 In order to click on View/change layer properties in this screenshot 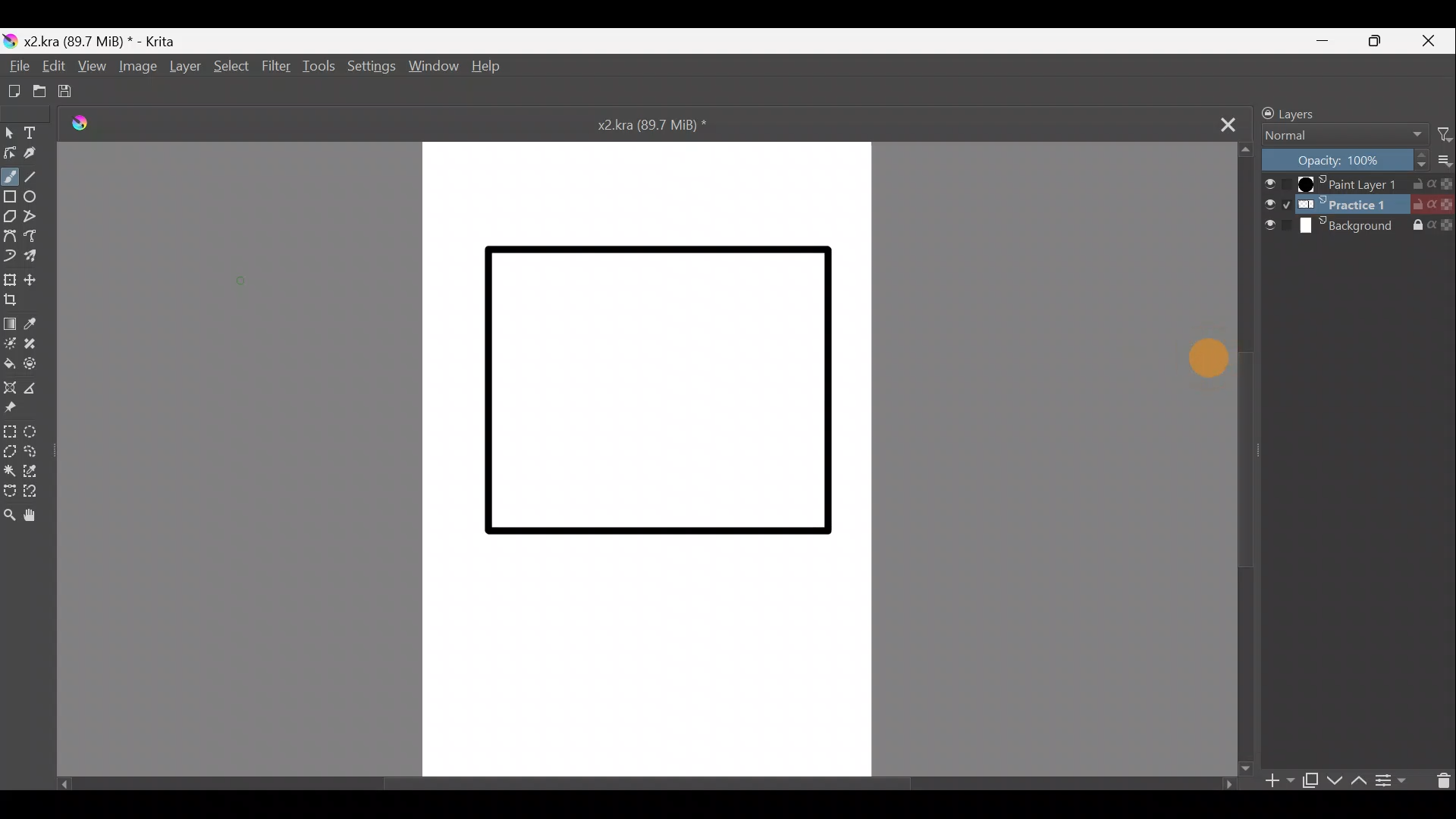, I will do `click(1391, 780)`.